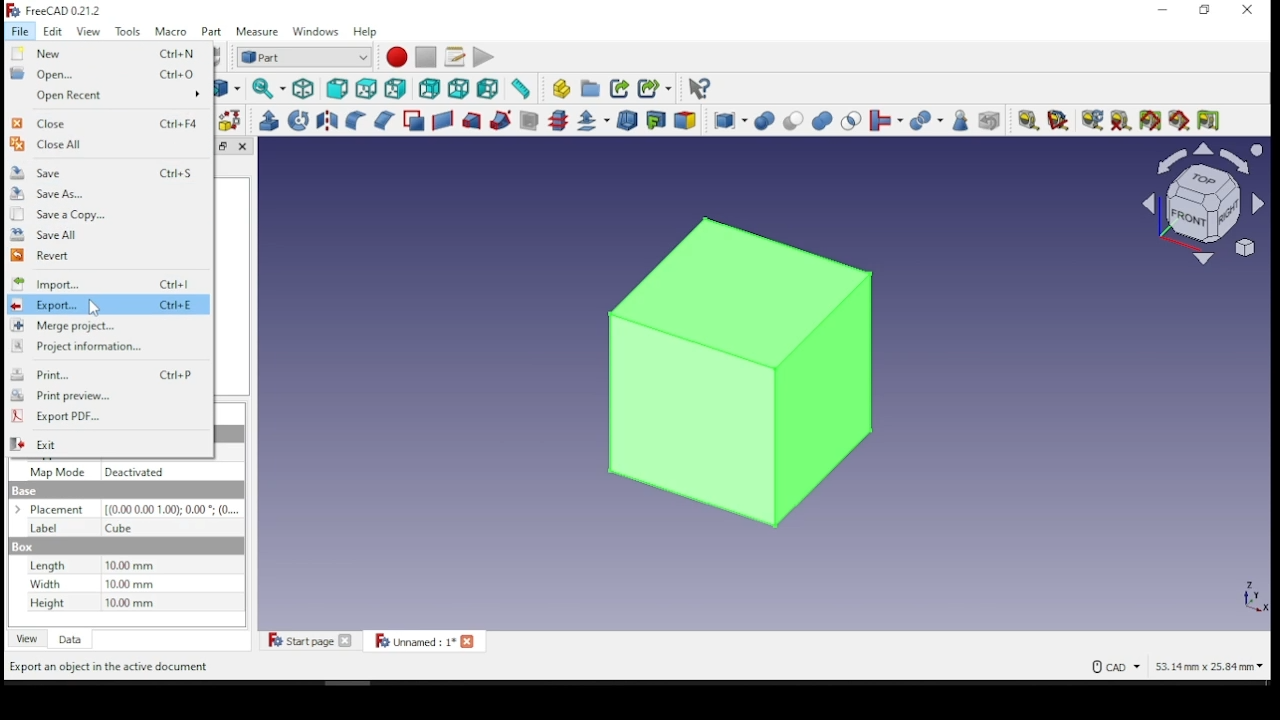 The height and width of the screenshot is (720, 1280). Describe the element at coordinates (45, 603) in the screenshot. I see `Height` at that location.